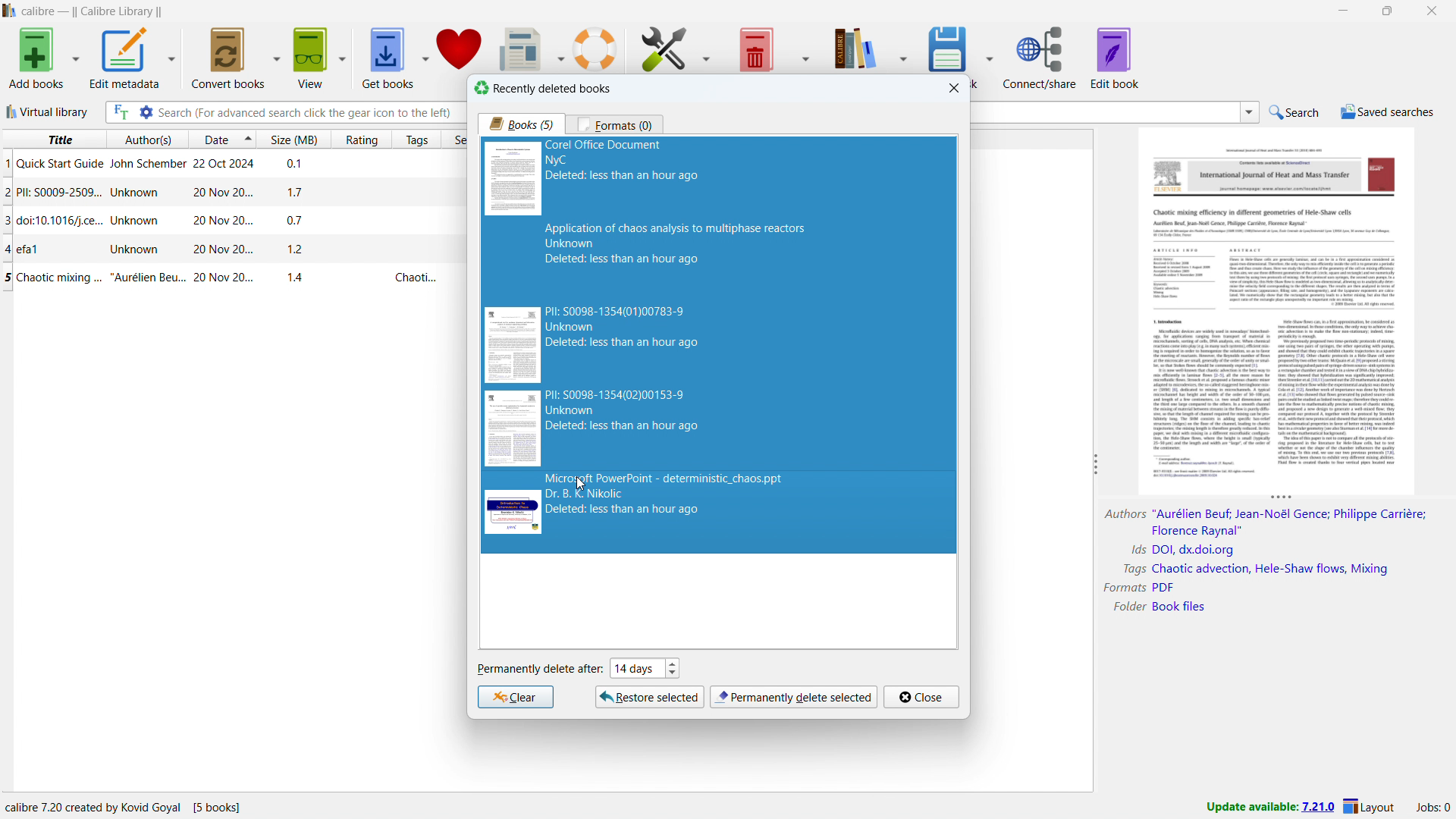 The height and width of the screenshot is (819, 1456). What do you see at coordinates (955, 88) in the screenshot?
I see `close` at bounding box center [955, 88].